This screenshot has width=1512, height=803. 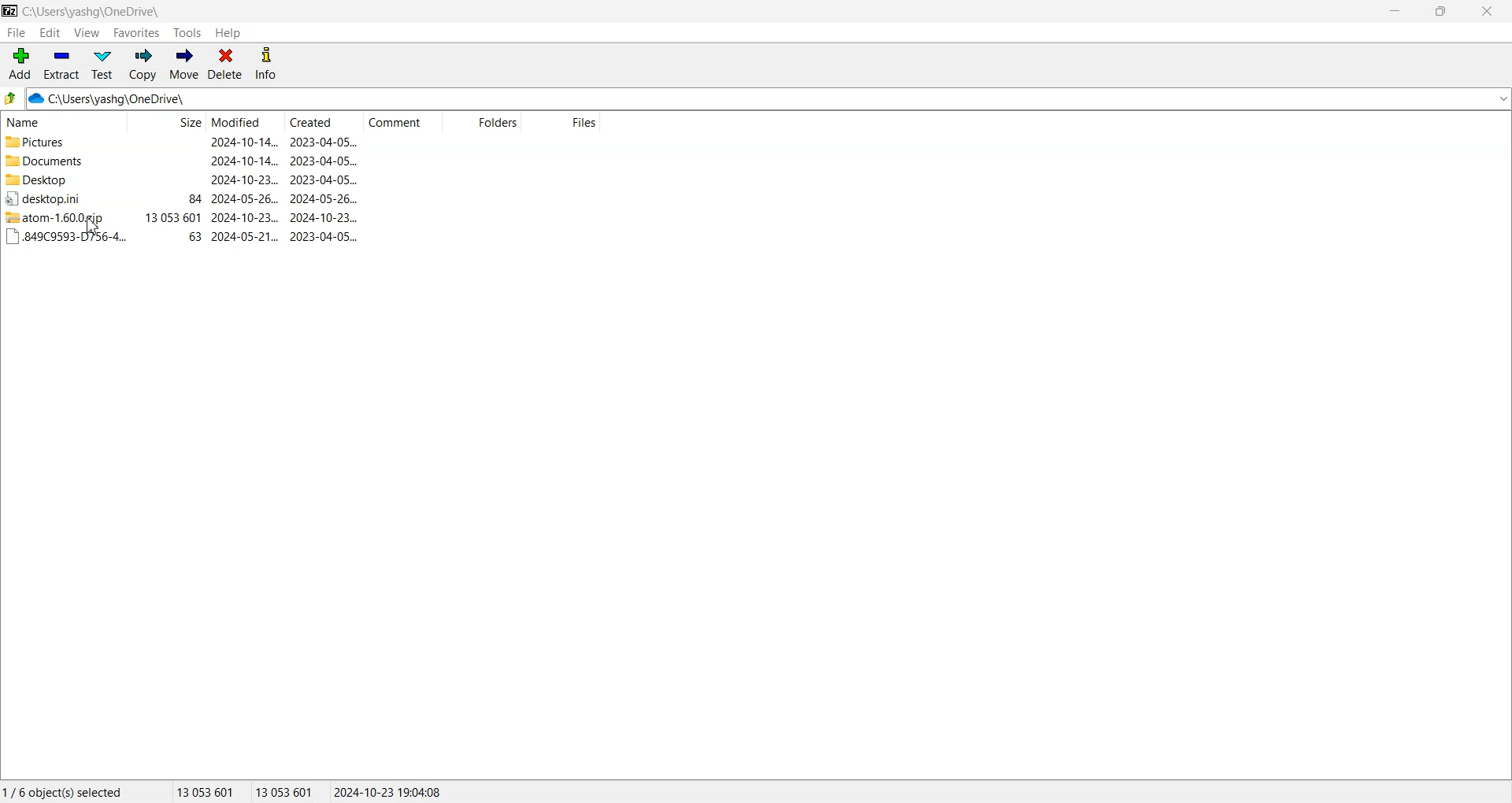 I want to click on Desktop File, so click(x=60, y=179).